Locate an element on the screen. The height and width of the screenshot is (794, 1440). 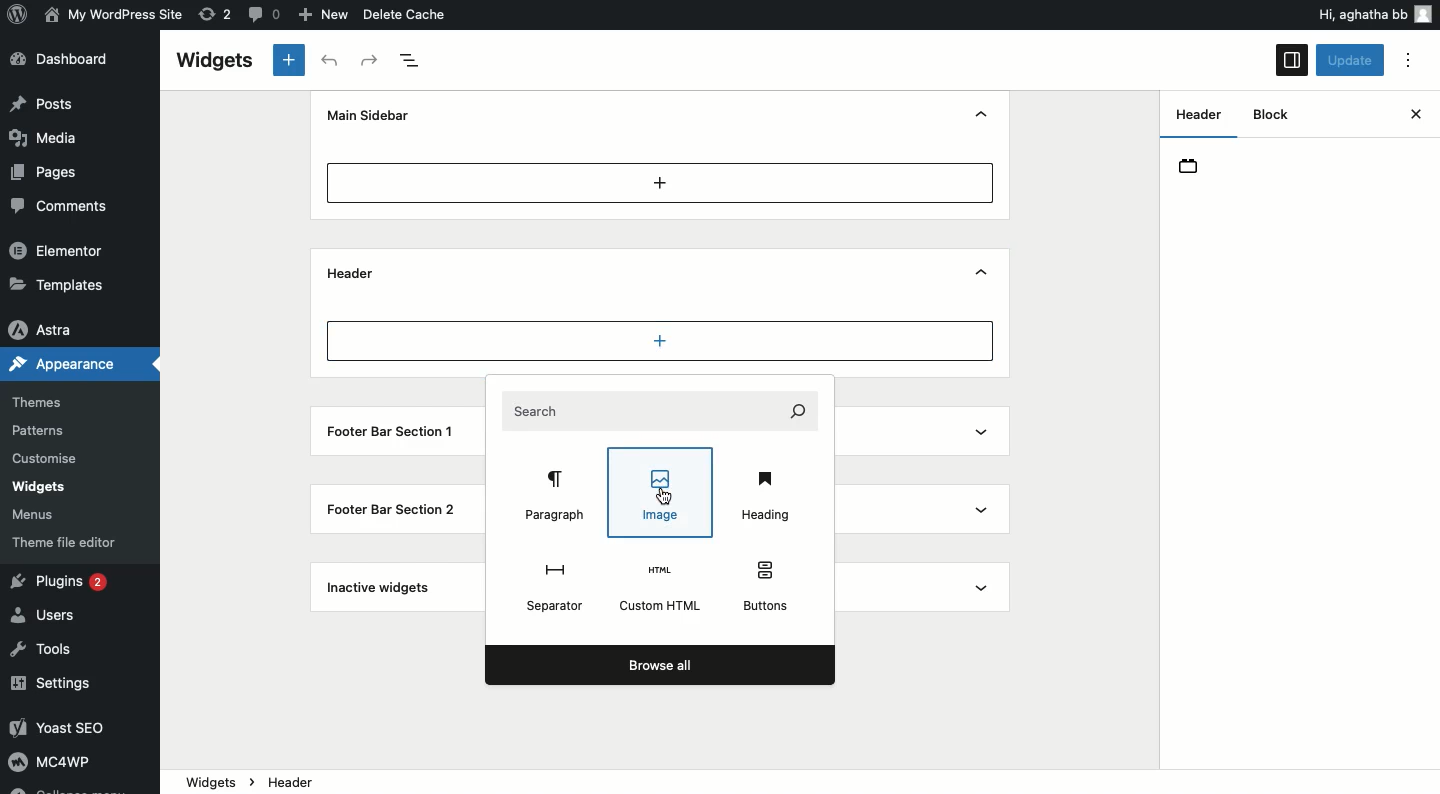
Sidebar is located at coordinates (1292, 60).